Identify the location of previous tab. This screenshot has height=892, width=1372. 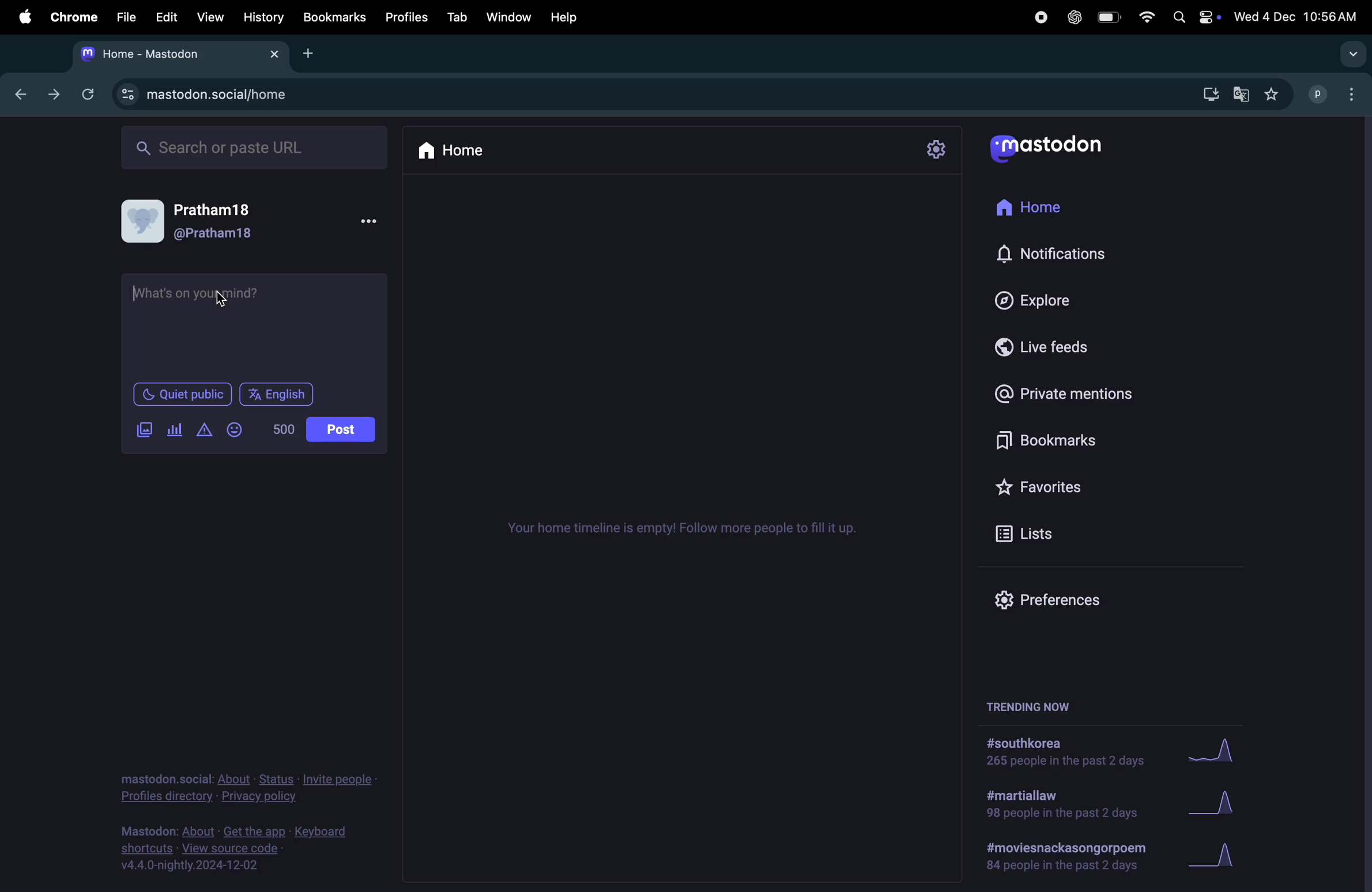
(22, 93).